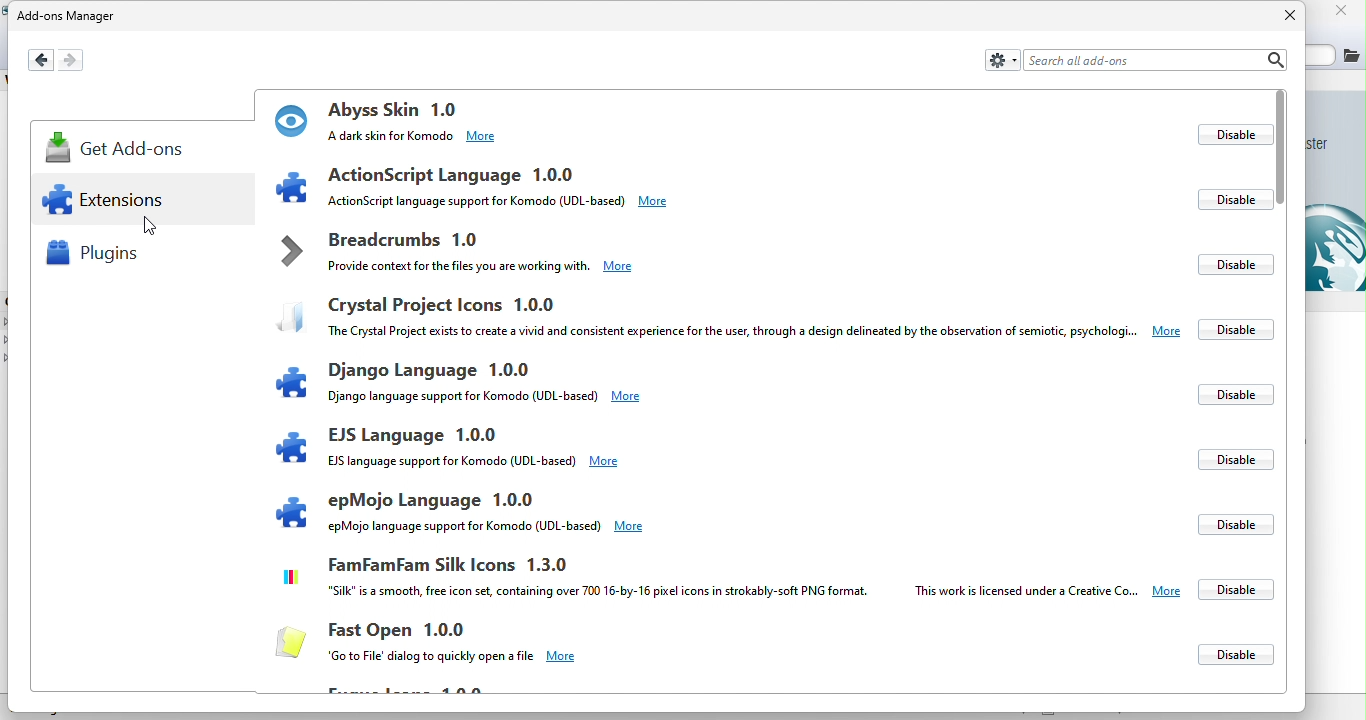  Describe the element at coordinates (1240, 589) in the screenshot. I see `disable` at that location.